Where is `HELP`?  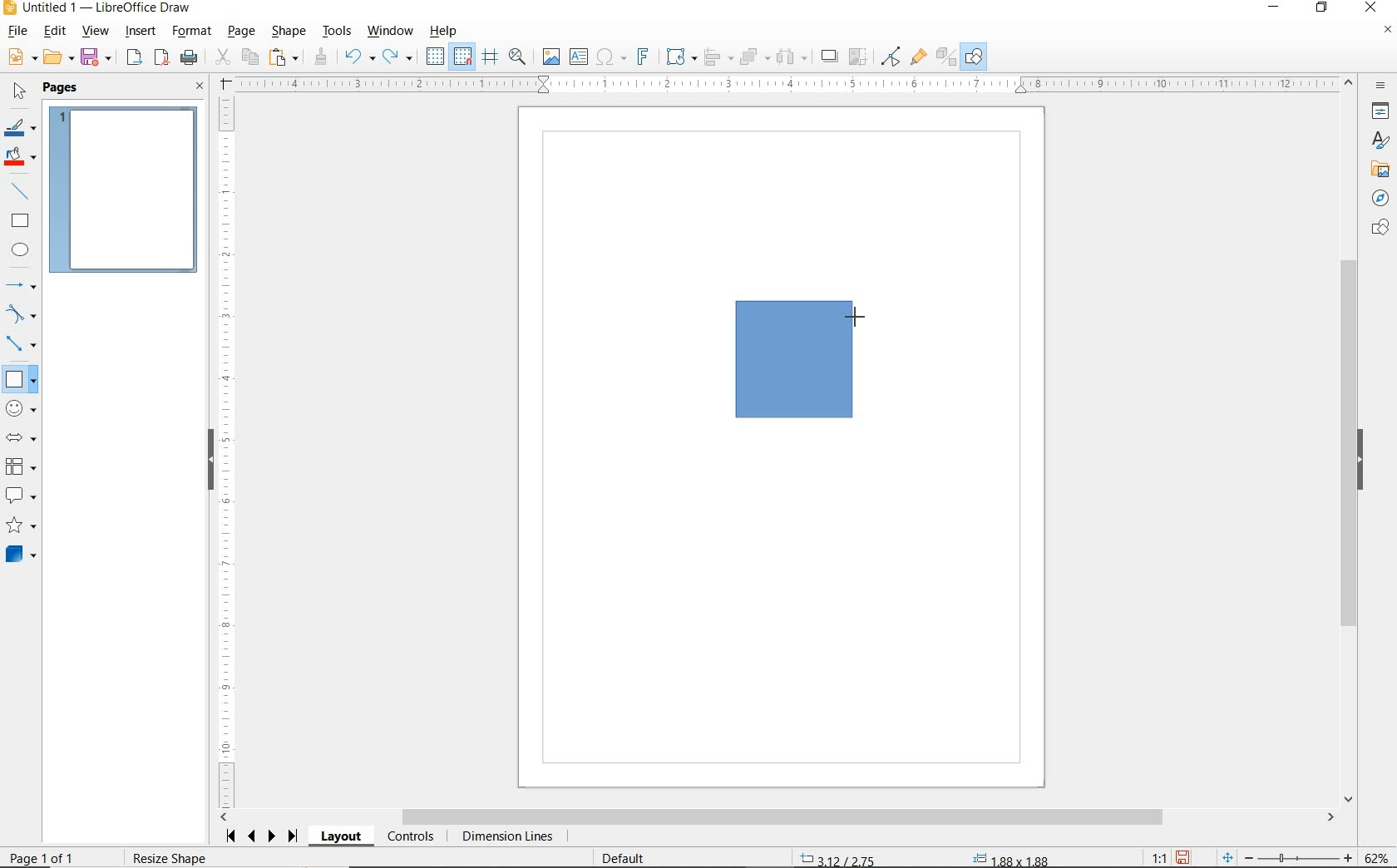
HELP is located at coordinates (447, 31).